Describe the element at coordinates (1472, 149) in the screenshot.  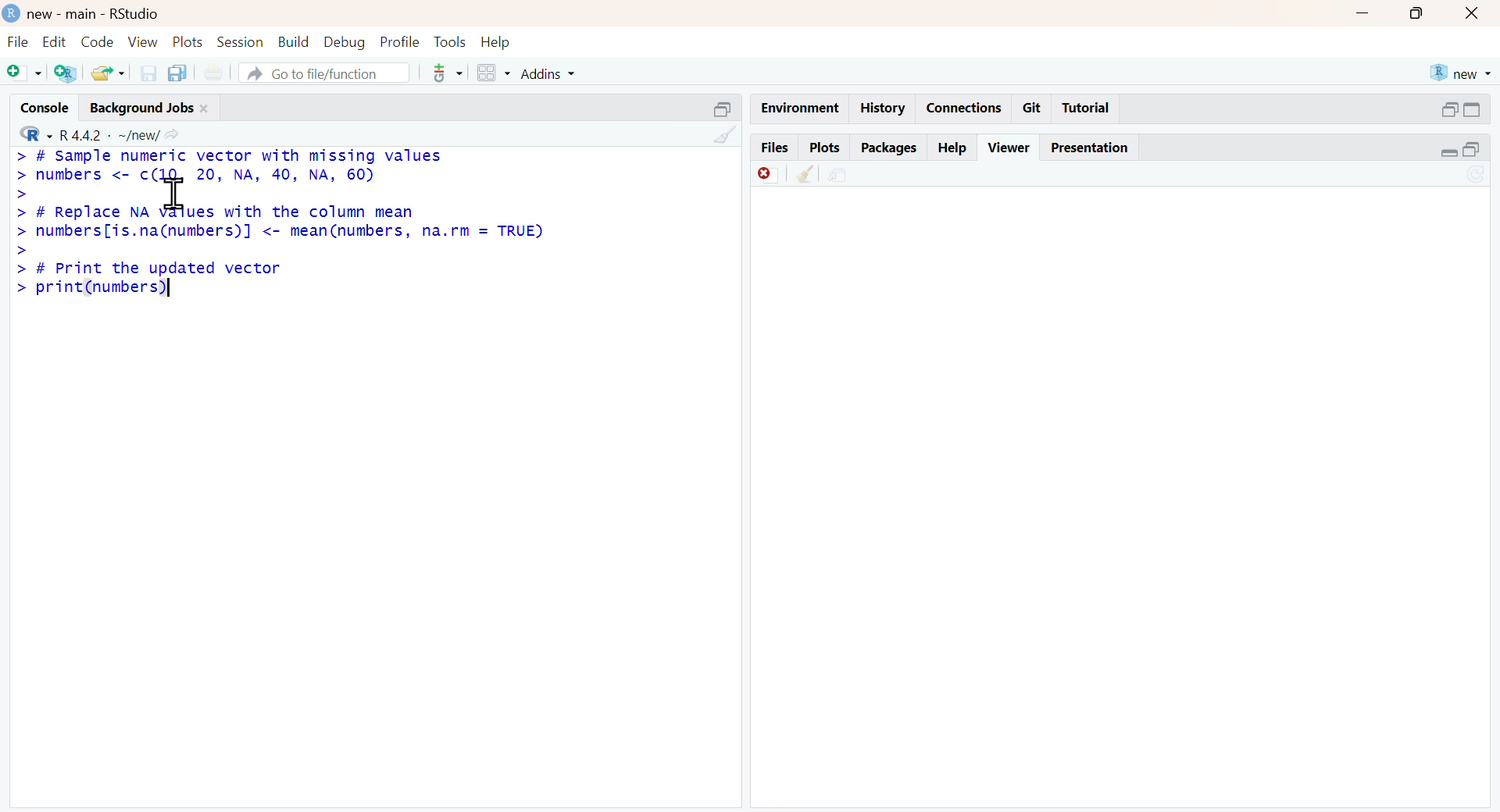
I see `open in separate window` at that location.